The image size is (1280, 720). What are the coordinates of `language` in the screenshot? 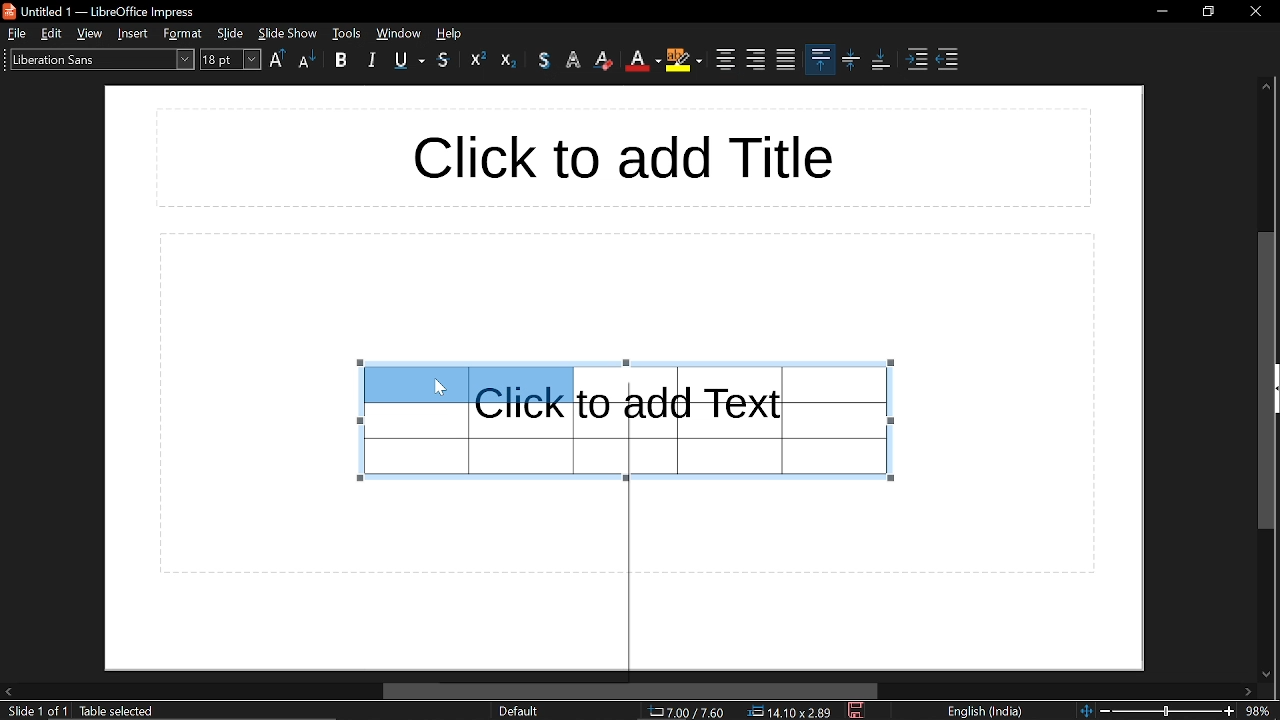 It's located at (990, 712).